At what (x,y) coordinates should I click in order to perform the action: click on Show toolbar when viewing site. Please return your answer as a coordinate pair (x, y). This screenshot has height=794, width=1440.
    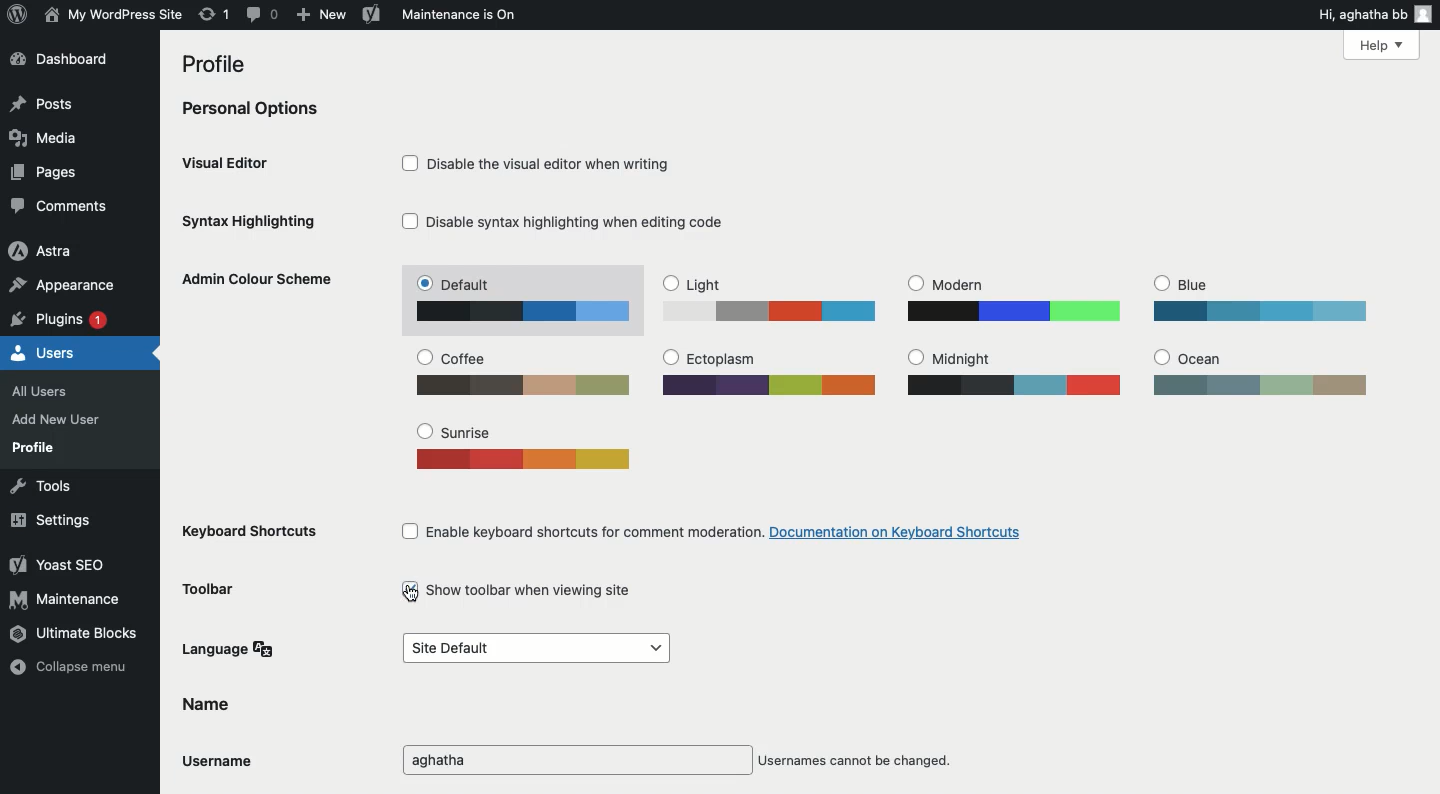
    Looking at the image, I should click on (519, 592).